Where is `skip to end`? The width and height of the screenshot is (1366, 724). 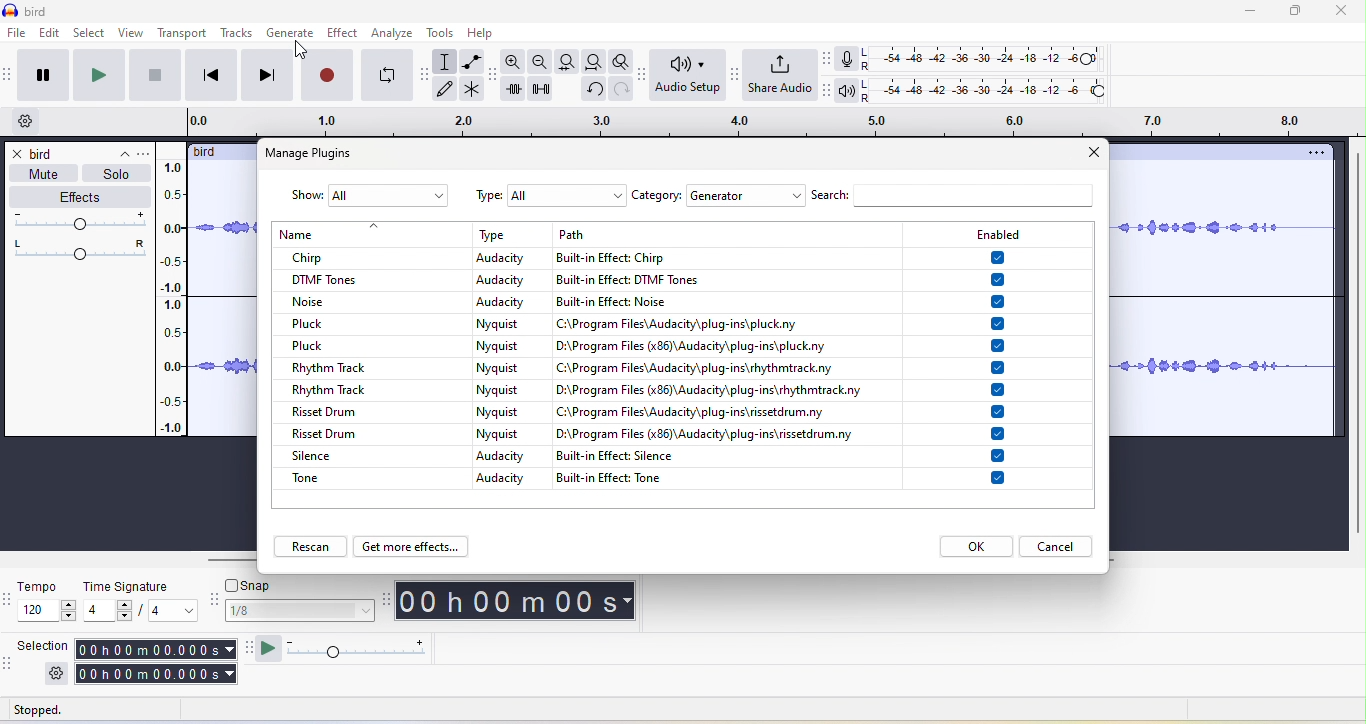 skip to end is located at coordinates (269, 76).